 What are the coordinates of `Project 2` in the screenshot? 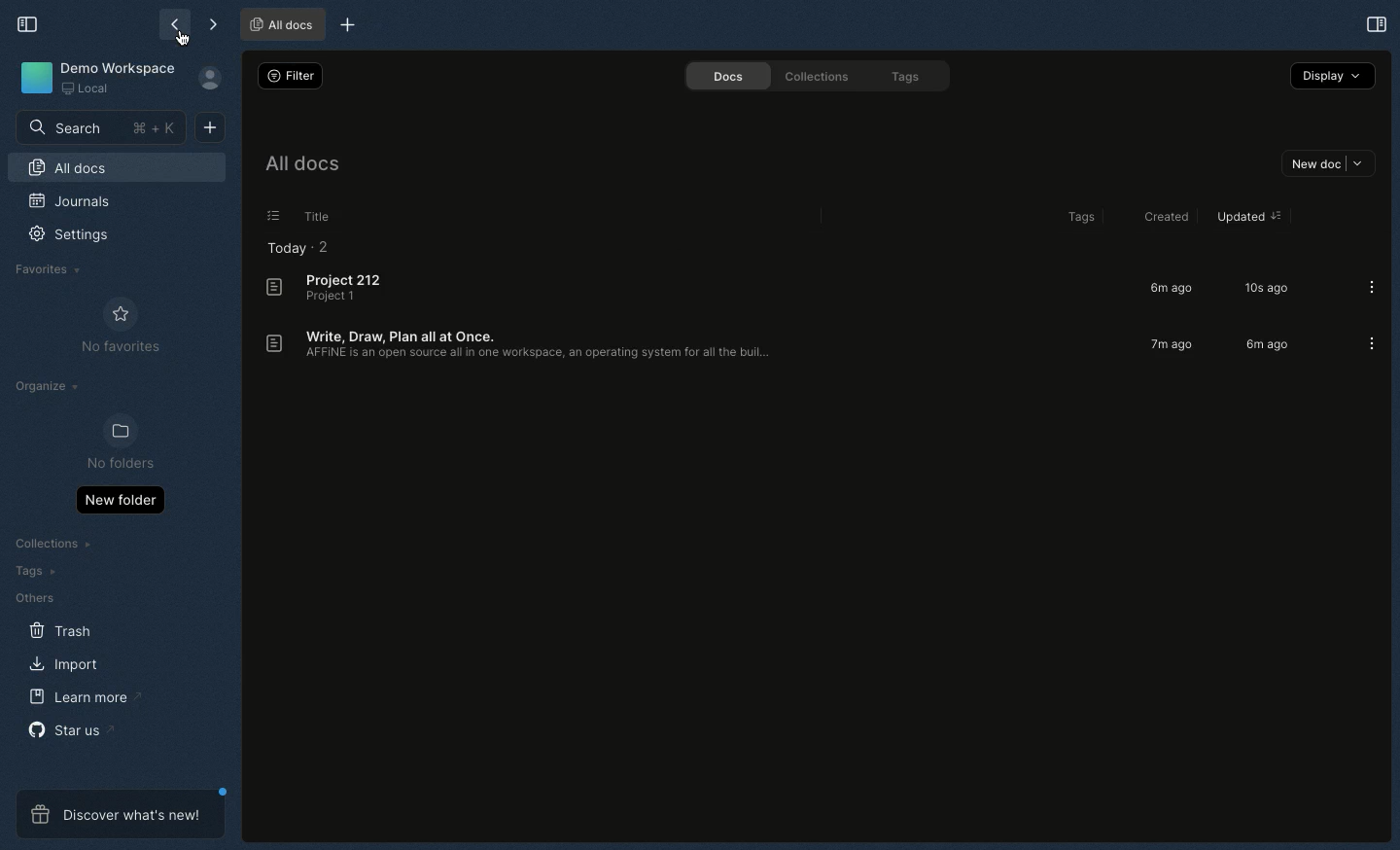 It's located at (290, 24).